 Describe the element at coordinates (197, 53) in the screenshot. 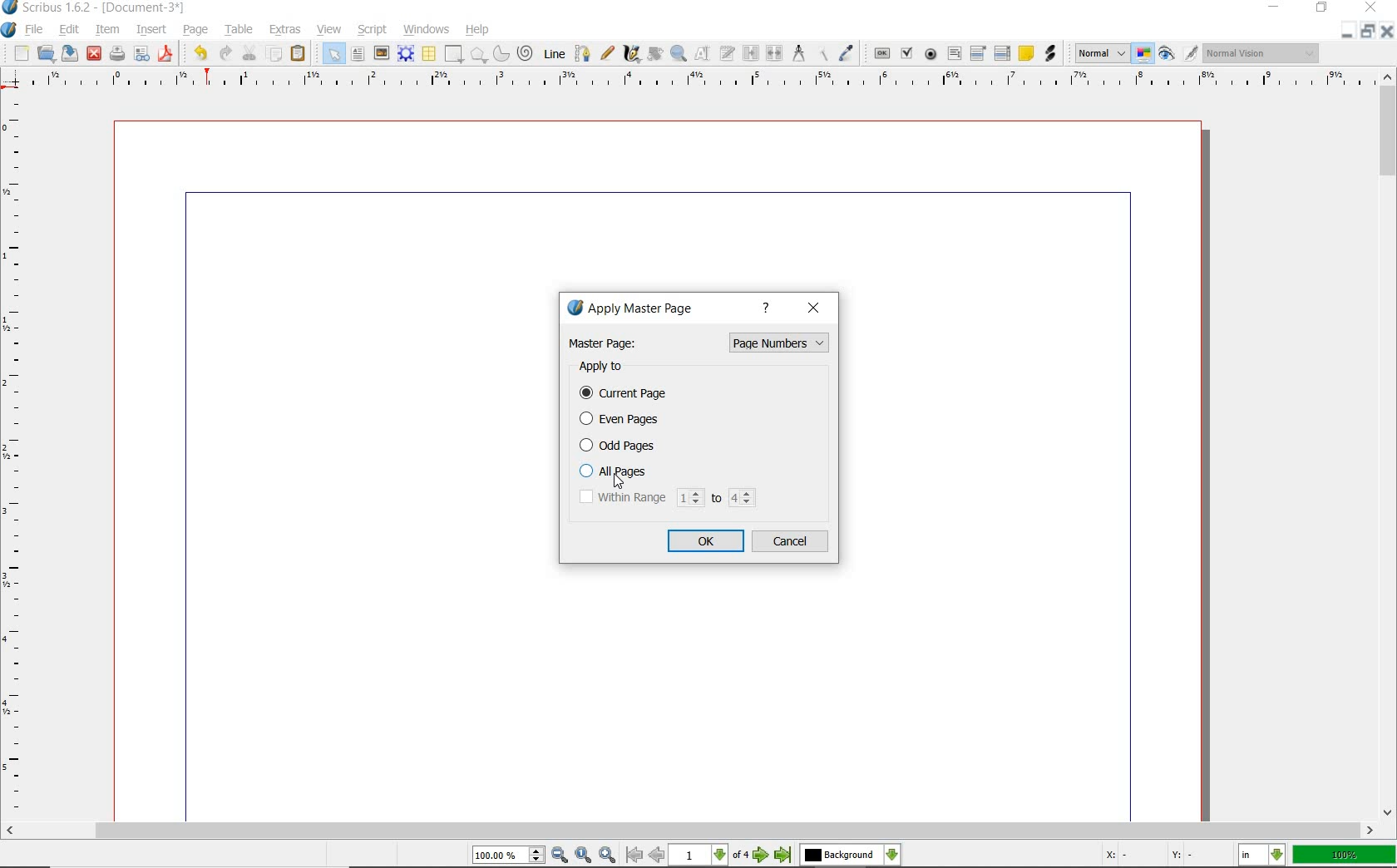

I see `undo` at that location.